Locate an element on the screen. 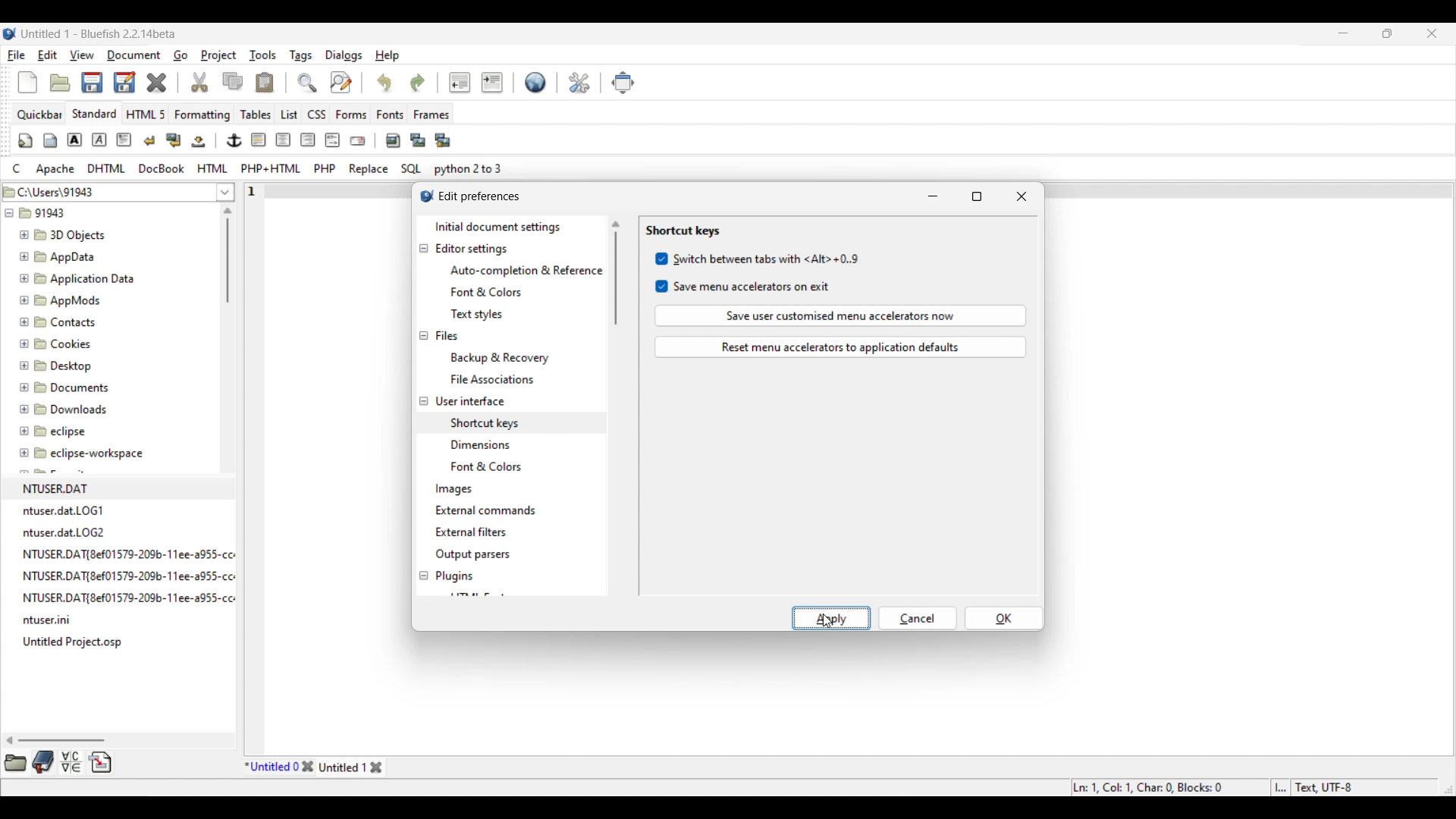 This screenshot has height=819, width=1456. Copy is located at coordinates (233, 81).